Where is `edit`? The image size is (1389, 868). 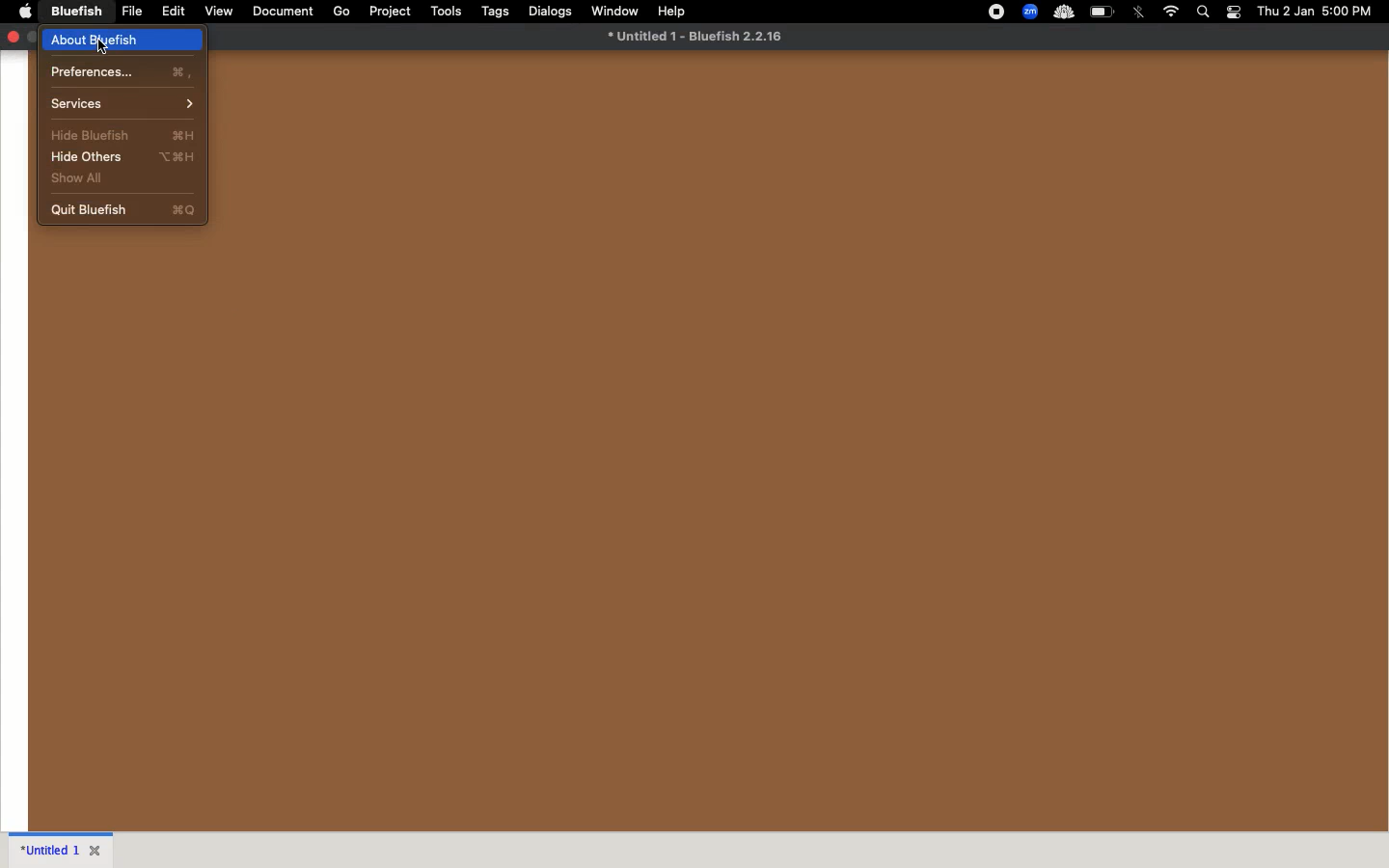 edit is located at coordinates (176, 12).